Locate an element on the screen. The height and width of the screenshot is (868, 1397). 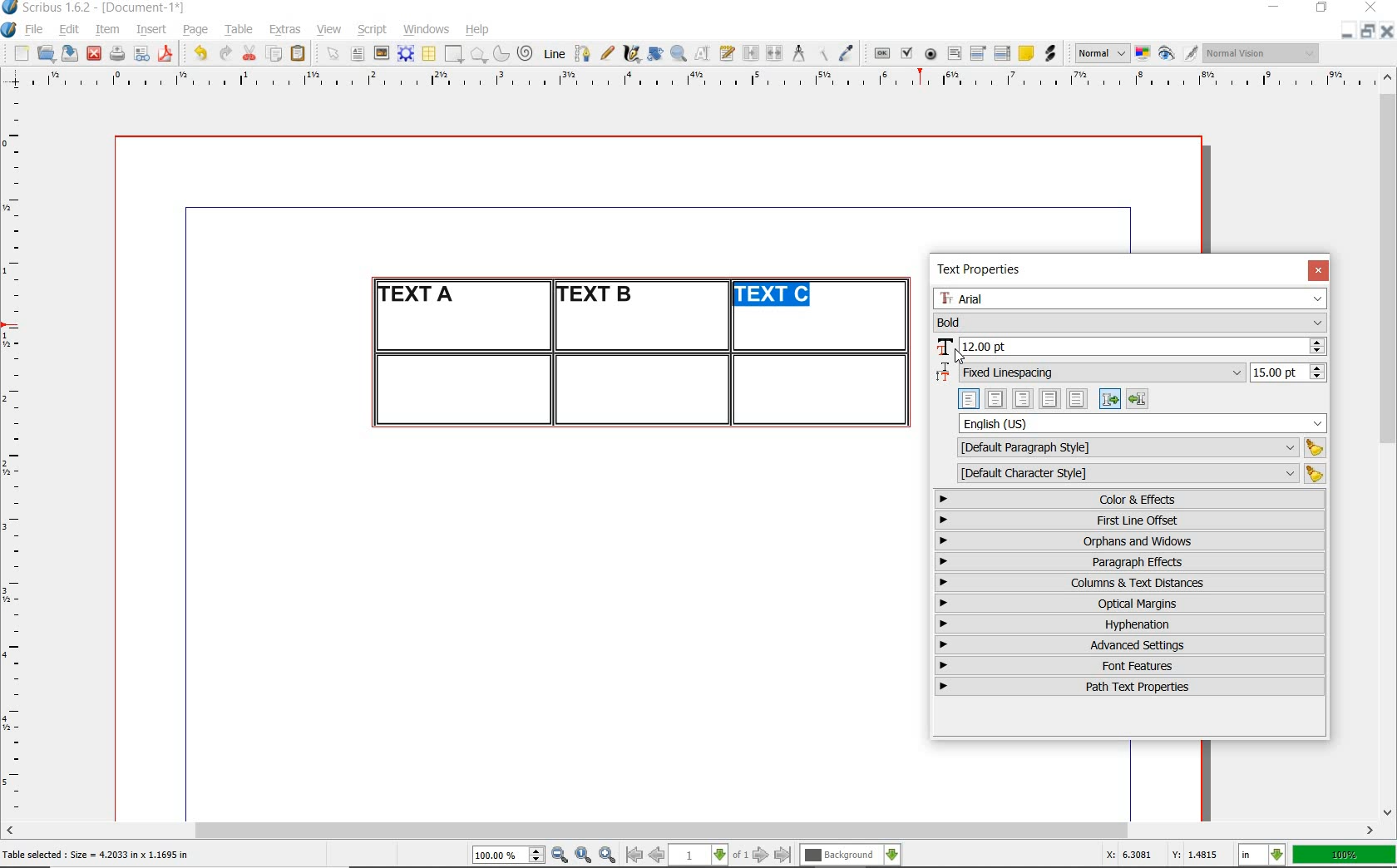
copy item properties is located at coordinates (822, 53).